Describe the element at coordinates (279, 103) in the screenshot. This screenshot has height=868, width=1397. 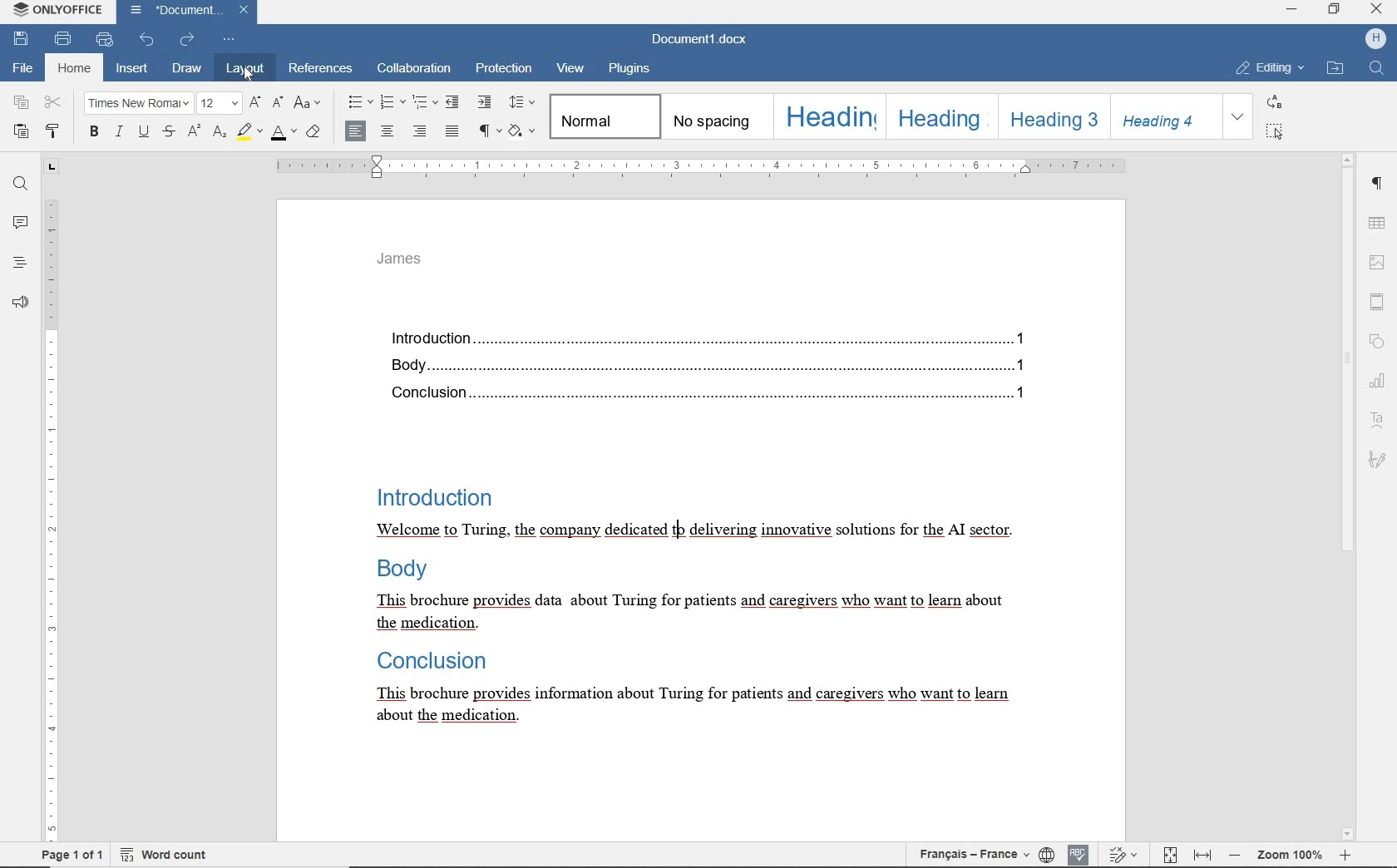
I see `decrement font size` at that location.